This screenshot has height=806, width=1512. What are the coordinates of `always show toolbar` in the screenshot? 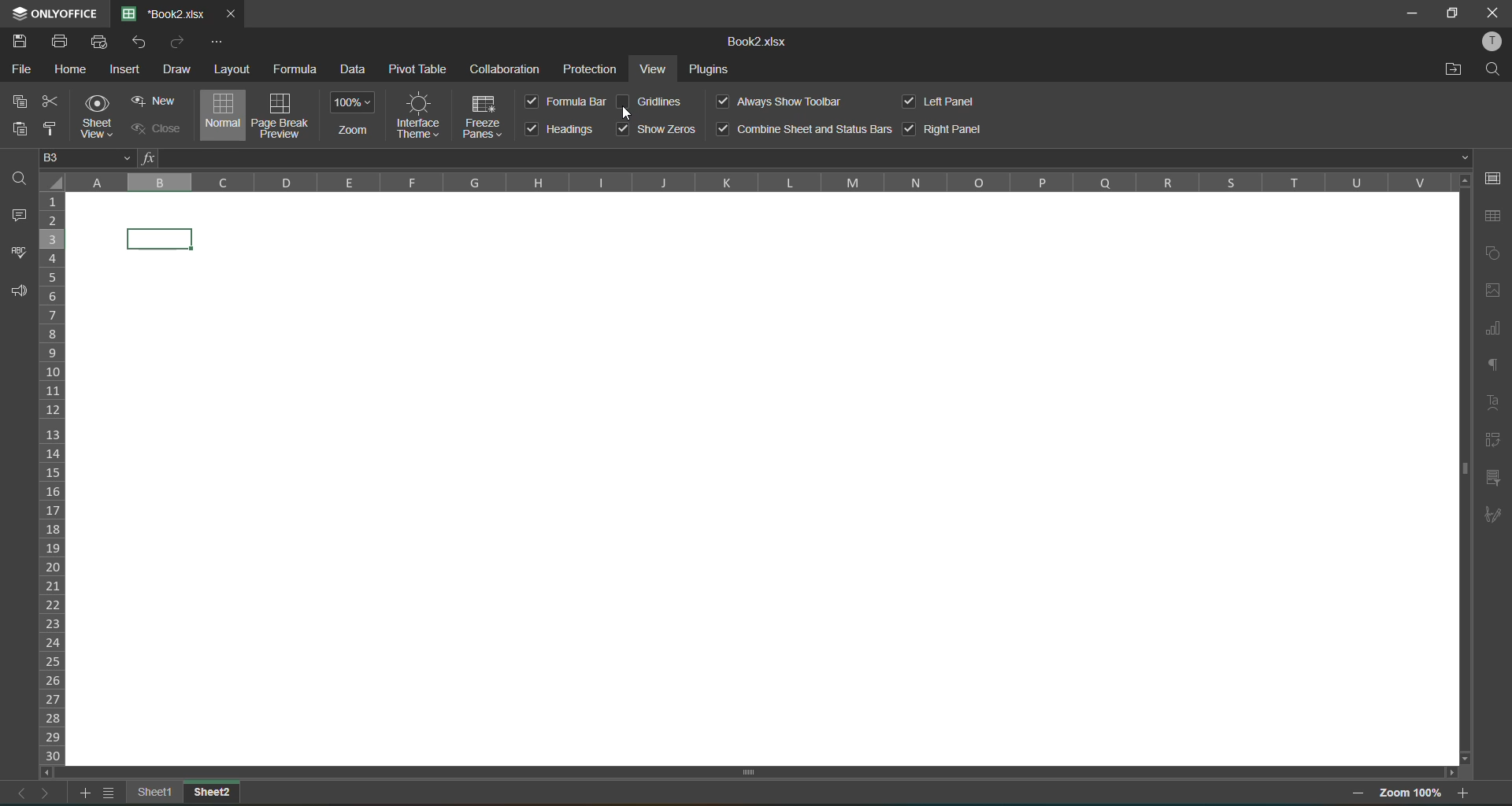 It's located at (780, 102).